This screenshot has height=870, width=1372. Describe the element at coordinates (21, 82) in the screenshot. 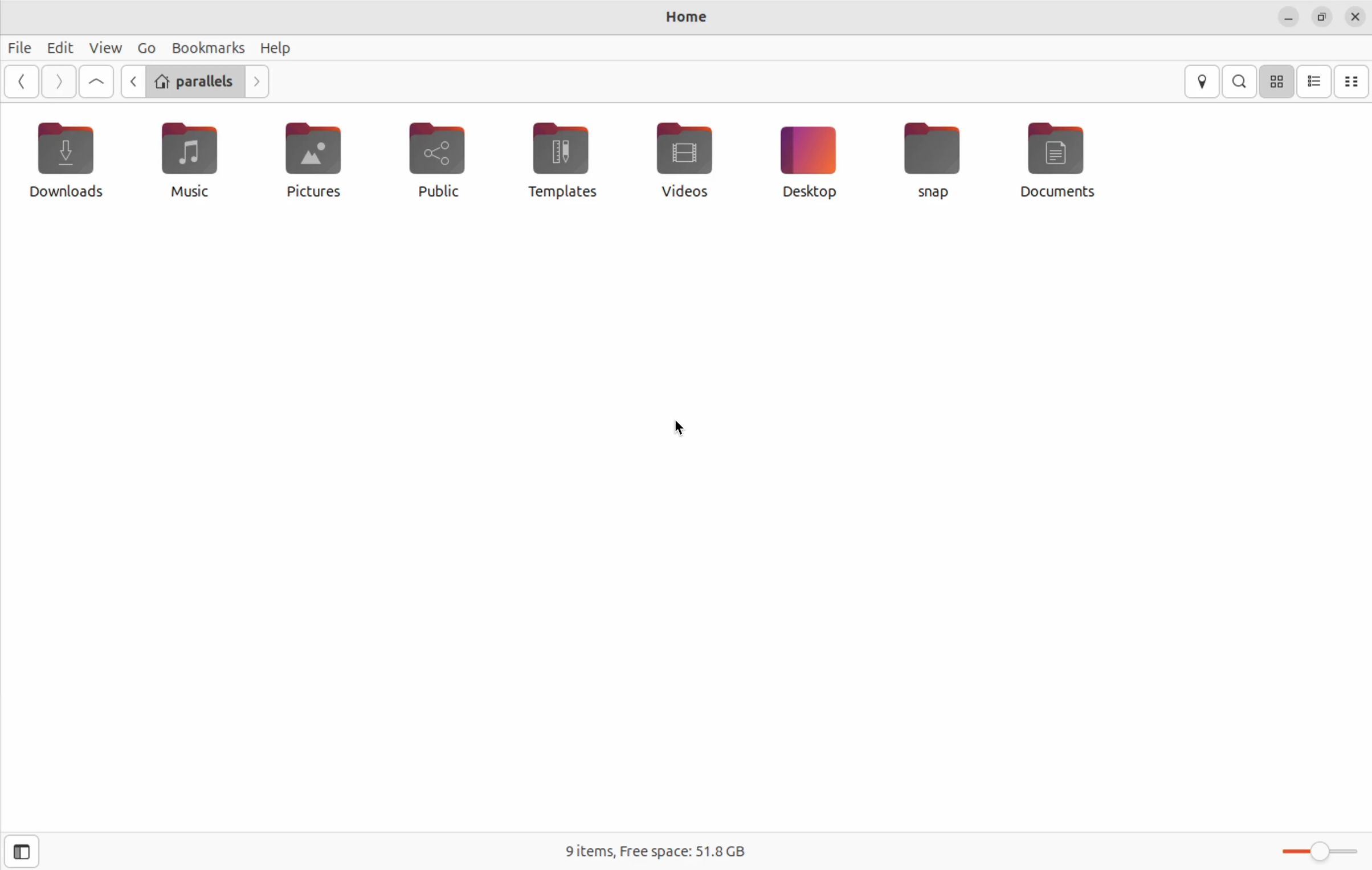

I see `Go previous` at that location.